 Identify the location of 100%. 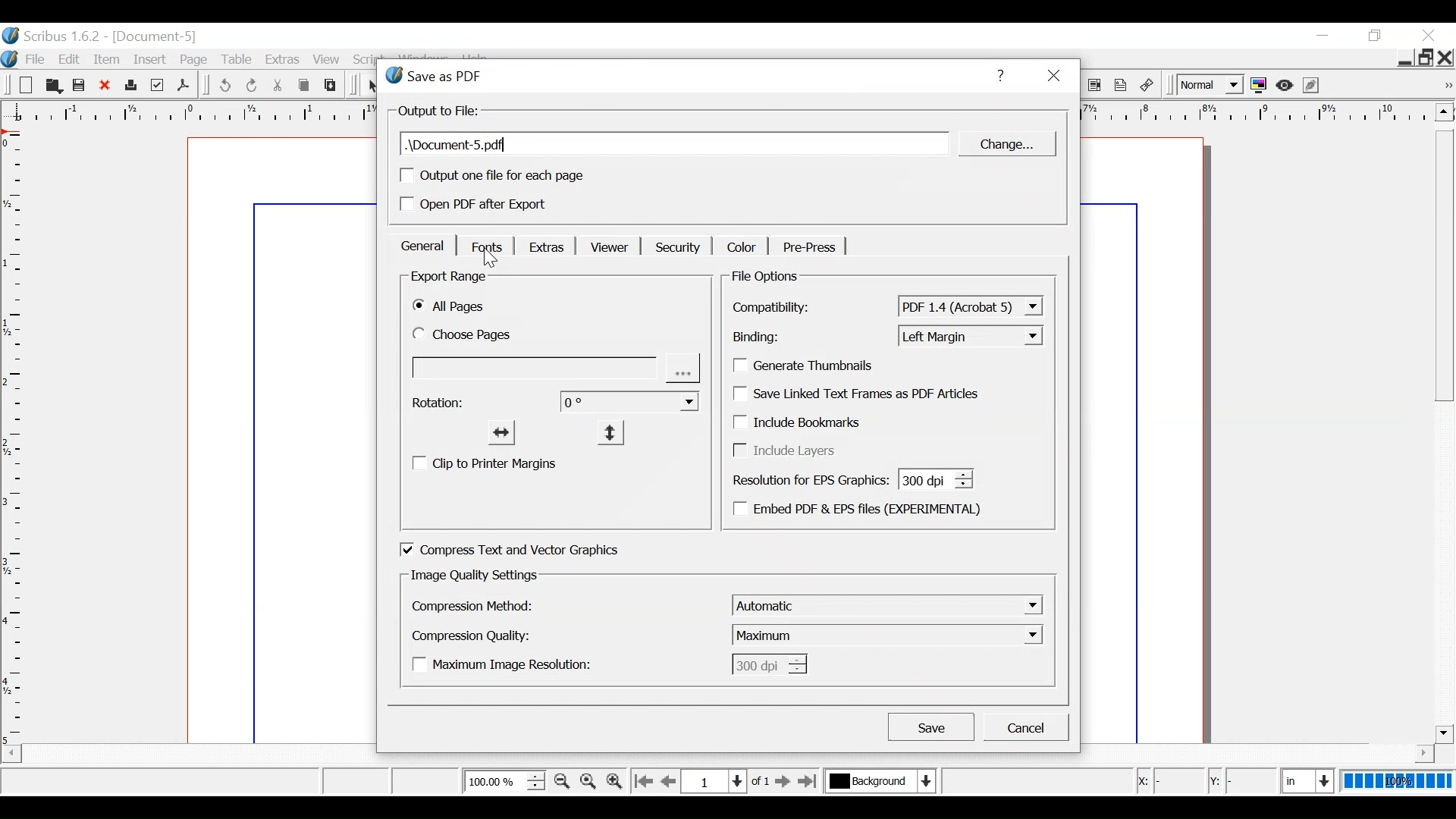
(1398, 780).